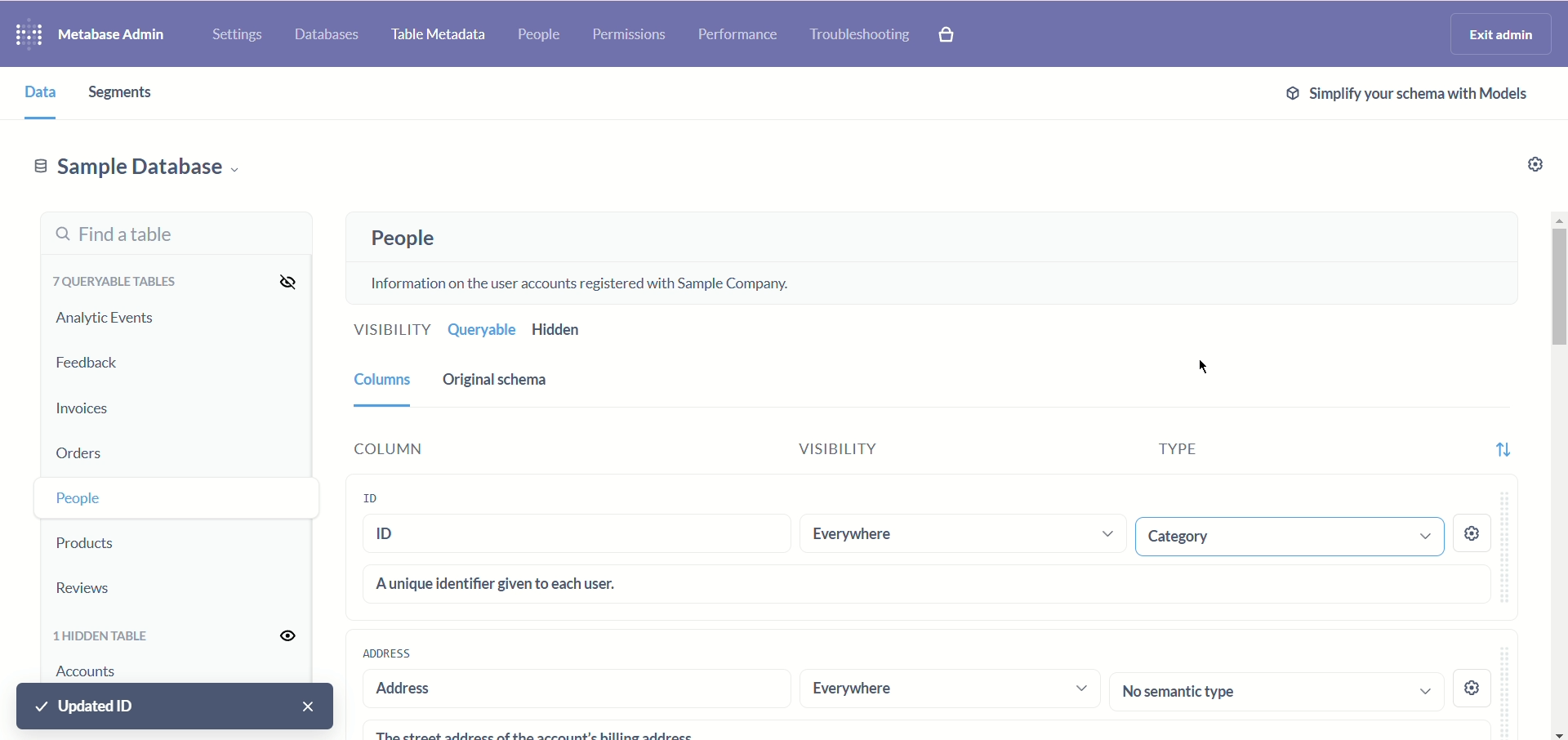 The width and height of the screenshot is (1568, 740). What do you see at coordinates (568, 689) in the screenshot?
I see `Address` at bounding box center [568, 689].